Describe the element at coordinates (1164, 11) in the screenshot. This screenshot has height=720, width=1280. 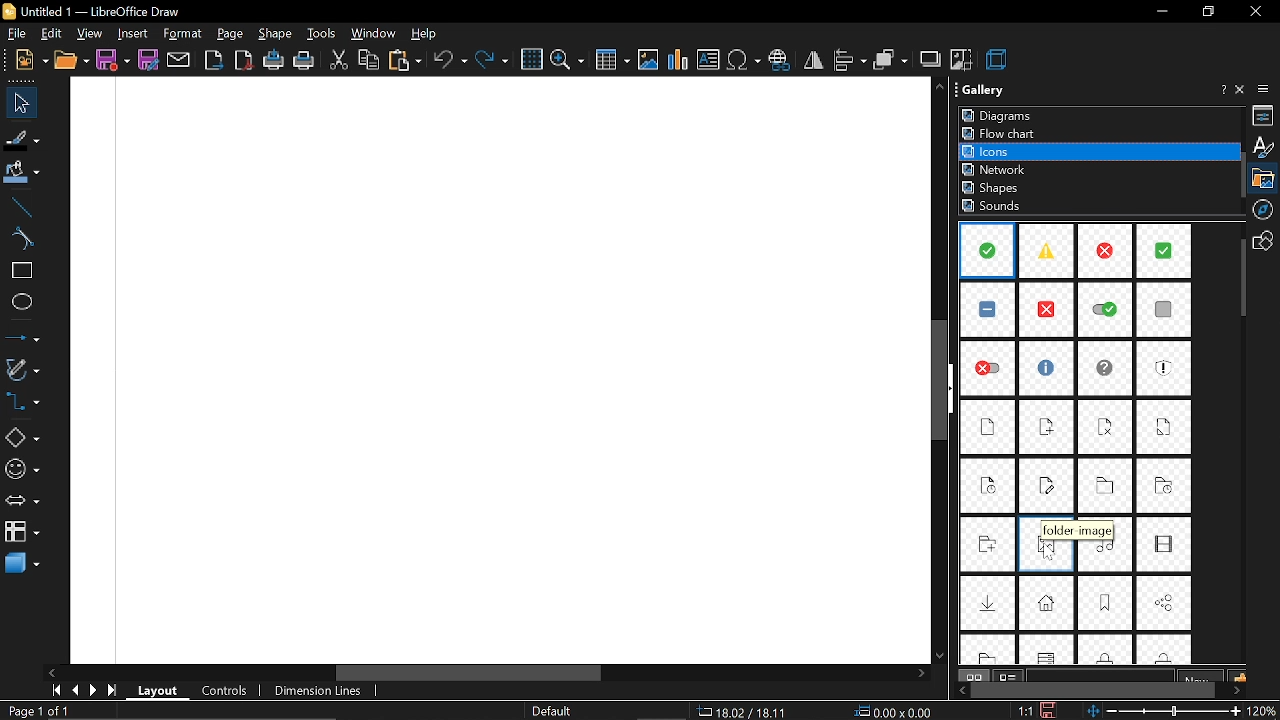
I see `minimize` at that location.